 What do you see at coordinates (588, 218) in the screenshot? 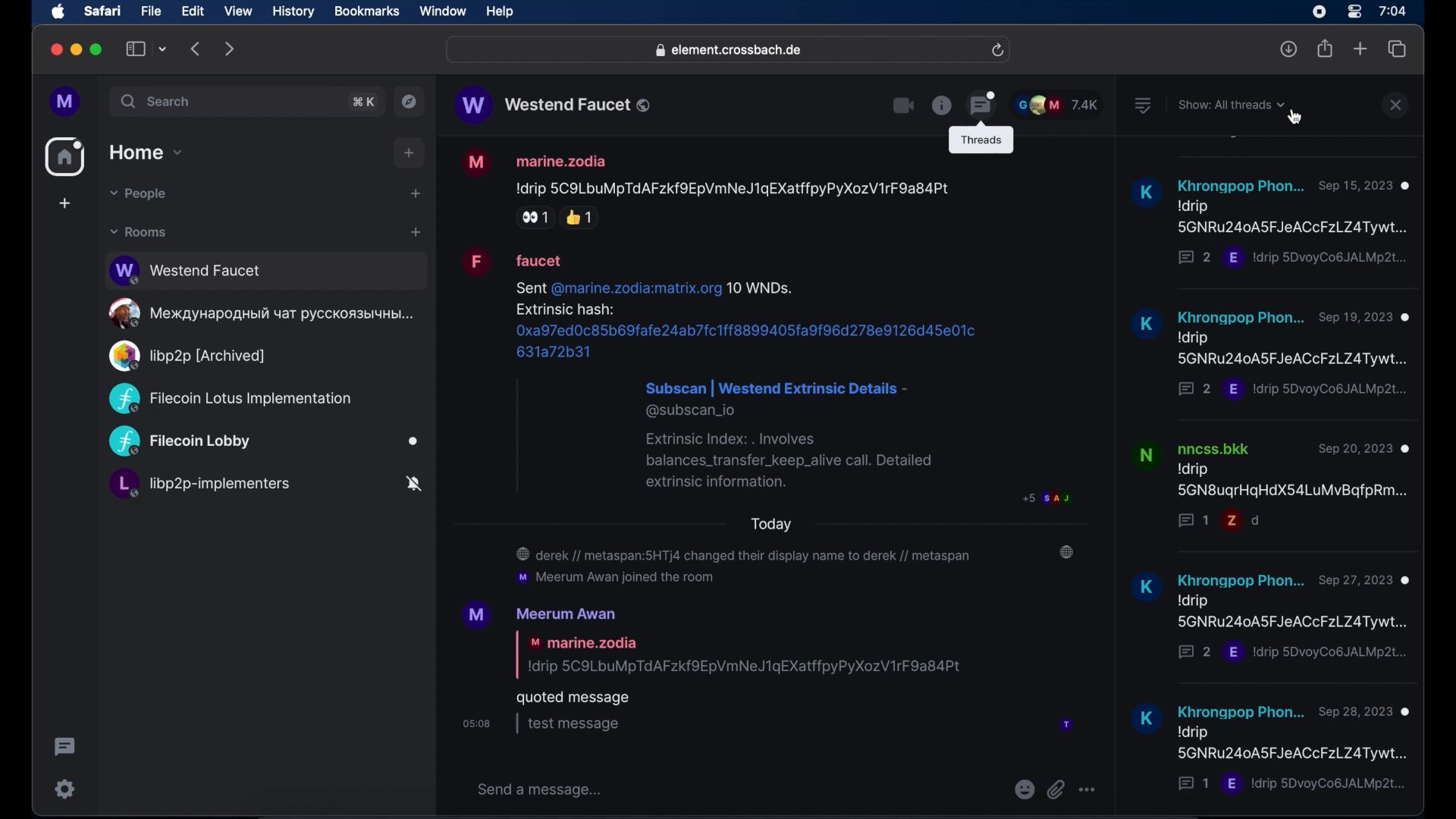
I see `thumbs up reaction` at bounding box center [588, 218].